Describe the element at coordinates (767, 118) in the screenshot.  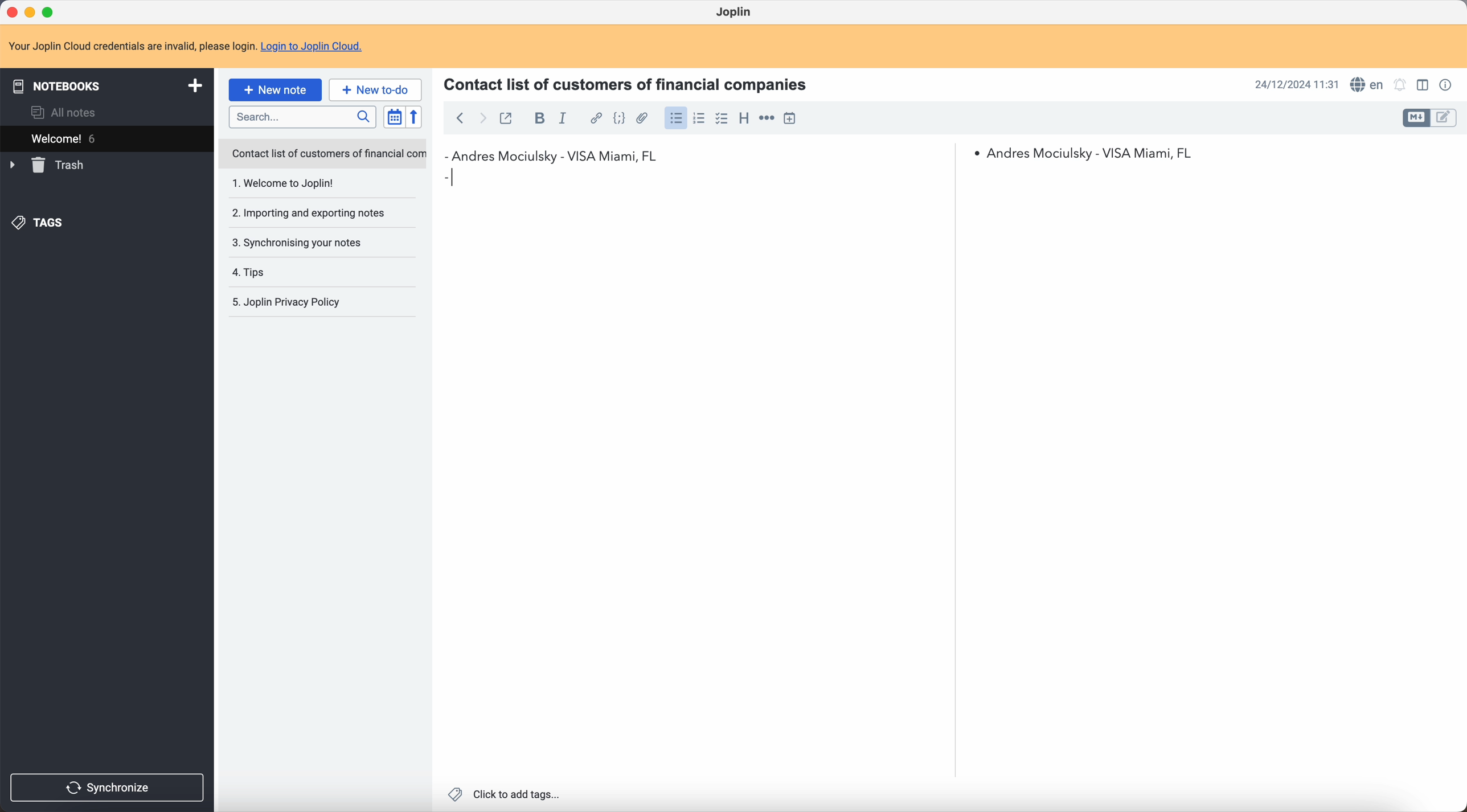
I see `horizontal rule` at that location.